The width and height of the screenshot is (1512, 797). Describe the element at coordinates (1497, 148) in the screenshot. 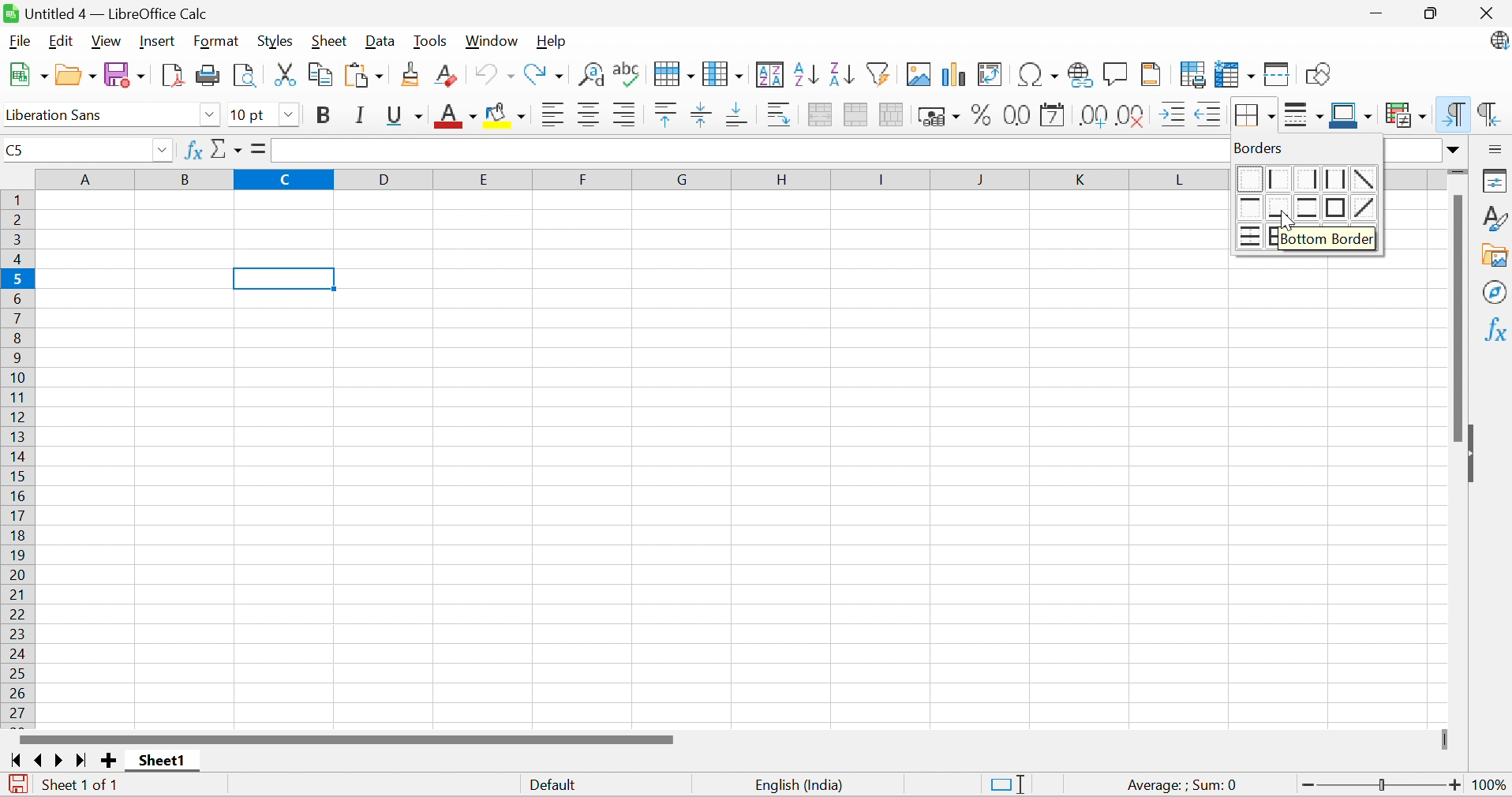

I see `Sidebar settings` at that location.